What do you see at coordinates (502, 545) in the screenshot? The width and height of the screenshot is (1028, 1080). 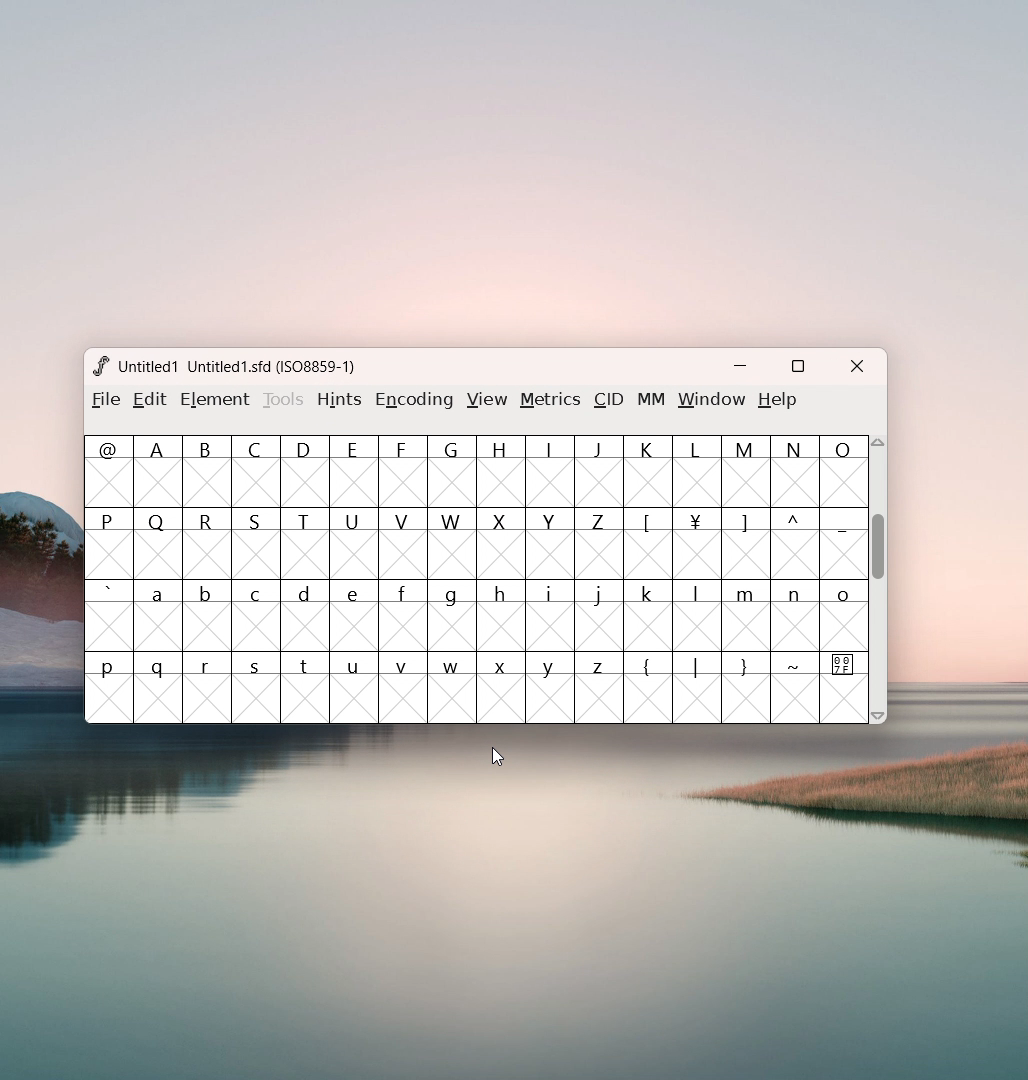 I see `X` at bounding box center [502, 545].